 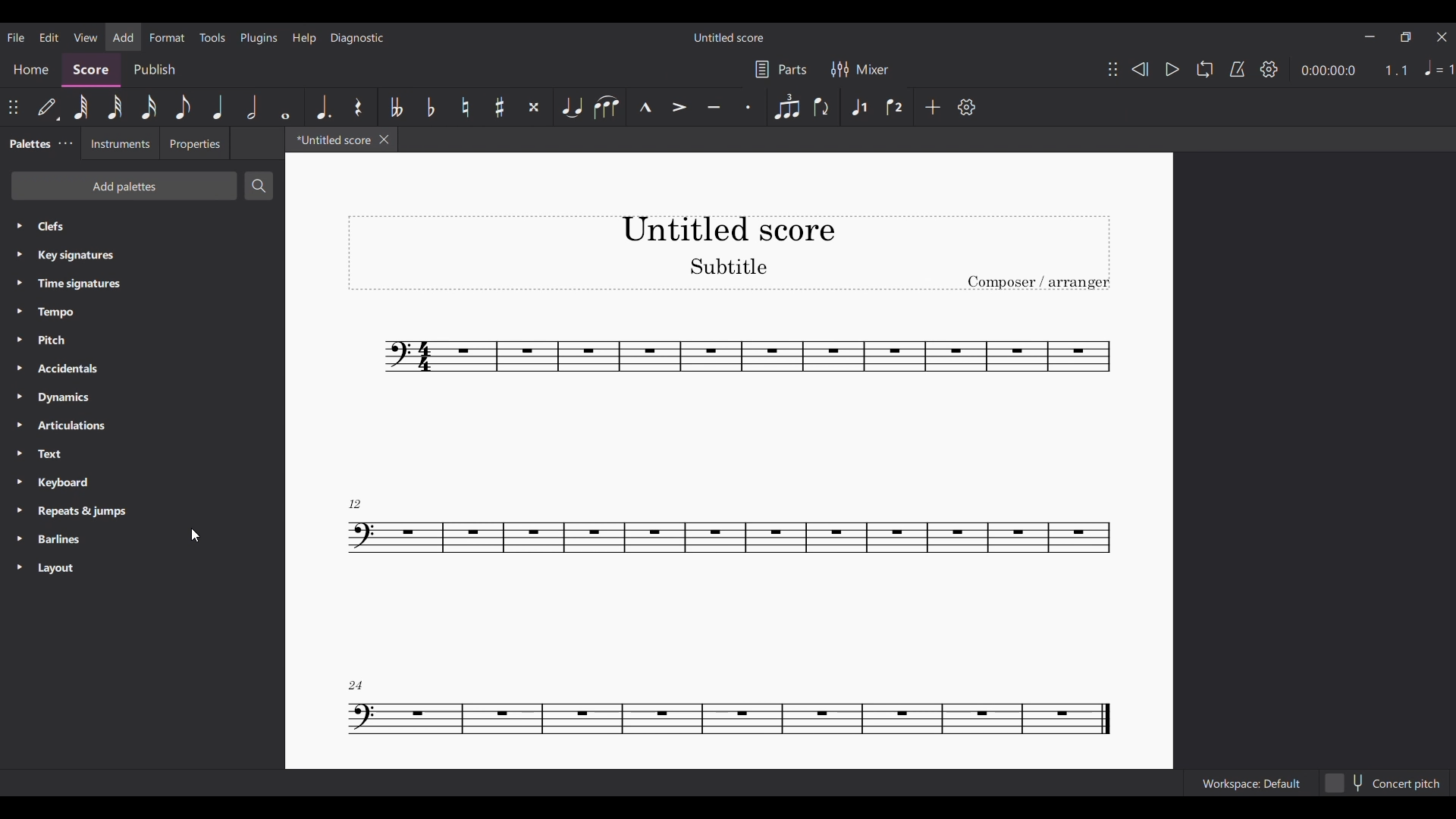 What do you see at coordinates (466, 104) in the screenshot?
I see `b` at bounding box center [466, 104].